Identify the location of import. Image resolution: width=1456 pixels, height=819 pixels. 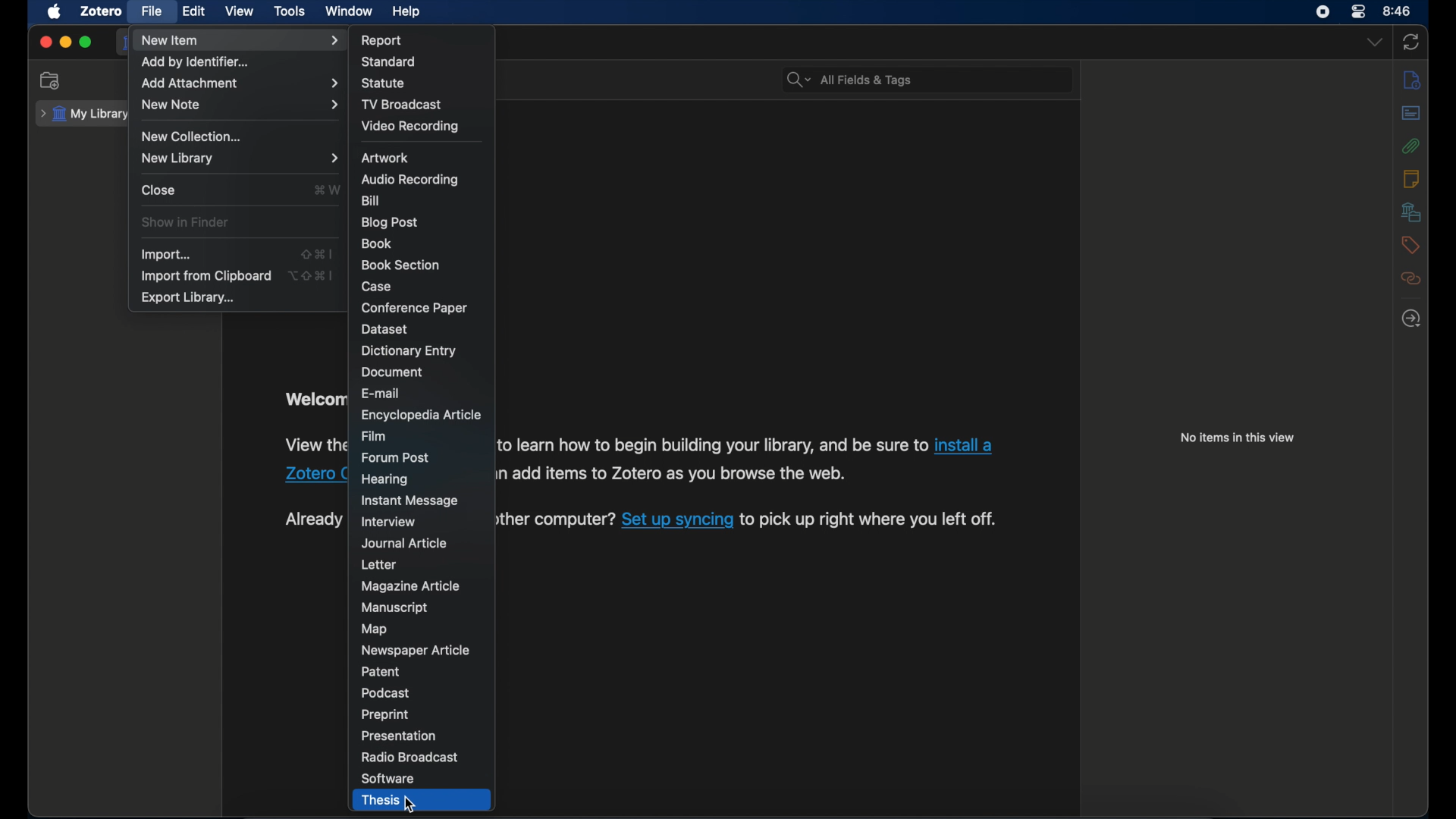
(167, 255).